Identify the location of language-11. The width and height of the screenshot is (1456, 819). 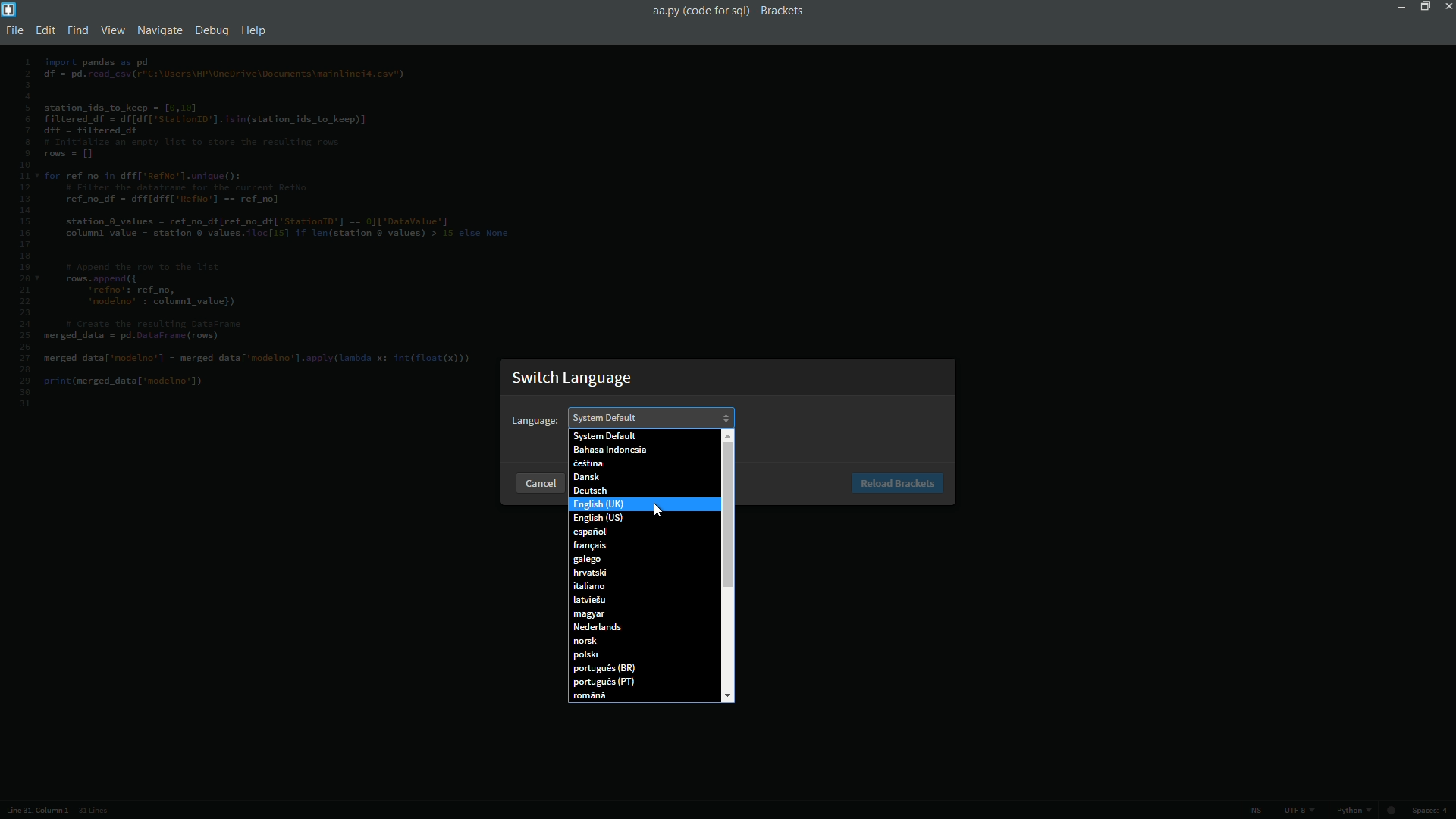
(590, 586).